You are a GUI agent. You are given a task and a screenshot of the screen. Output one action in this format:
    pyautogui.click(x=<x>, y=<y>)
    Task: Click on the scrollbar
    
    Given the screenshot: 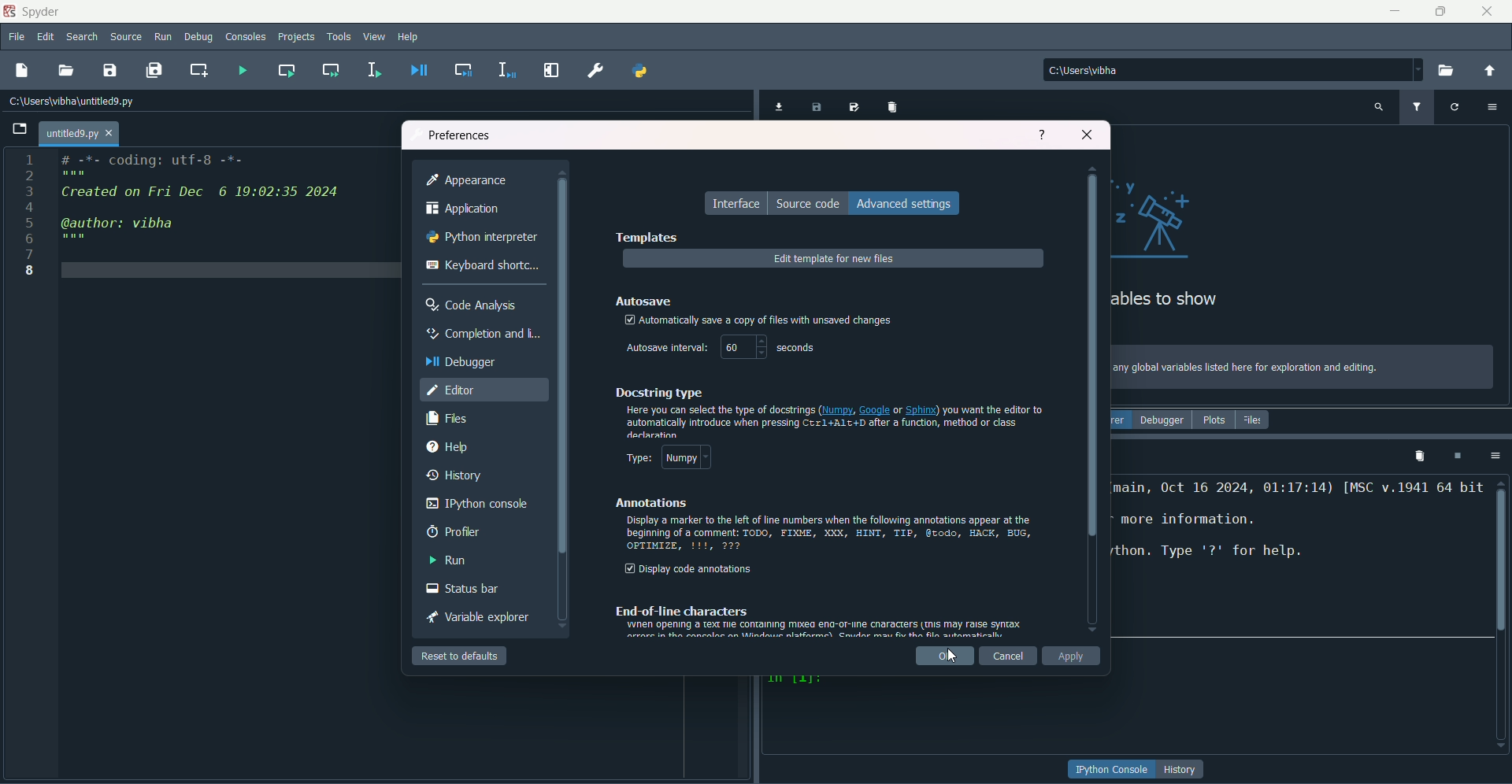 What is the action you would take?
    pyautogui.click(x=1502, y=556)
    